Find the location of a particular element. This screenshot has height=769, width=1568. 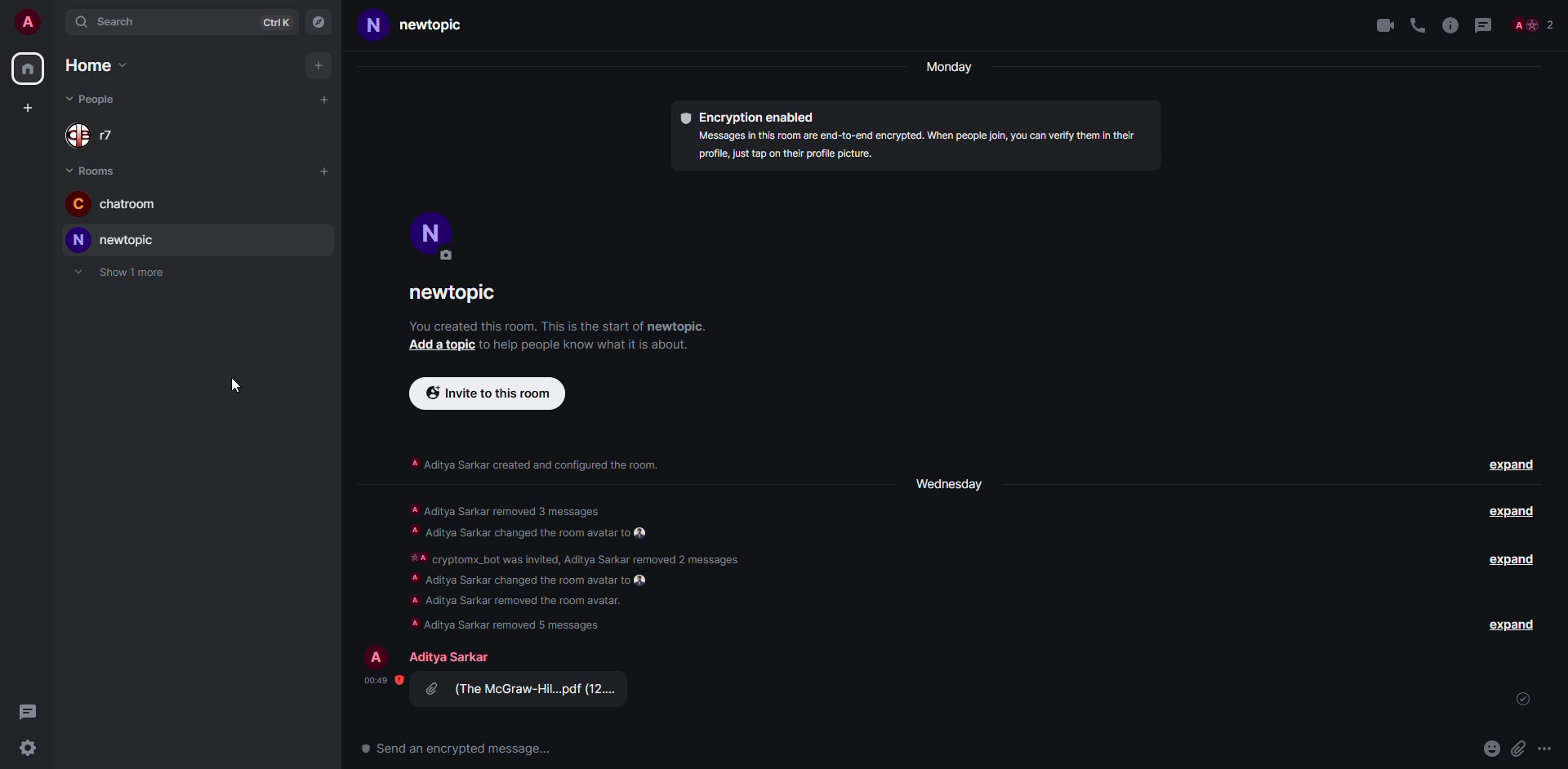

newtopic is located at coordinates (454, 295).